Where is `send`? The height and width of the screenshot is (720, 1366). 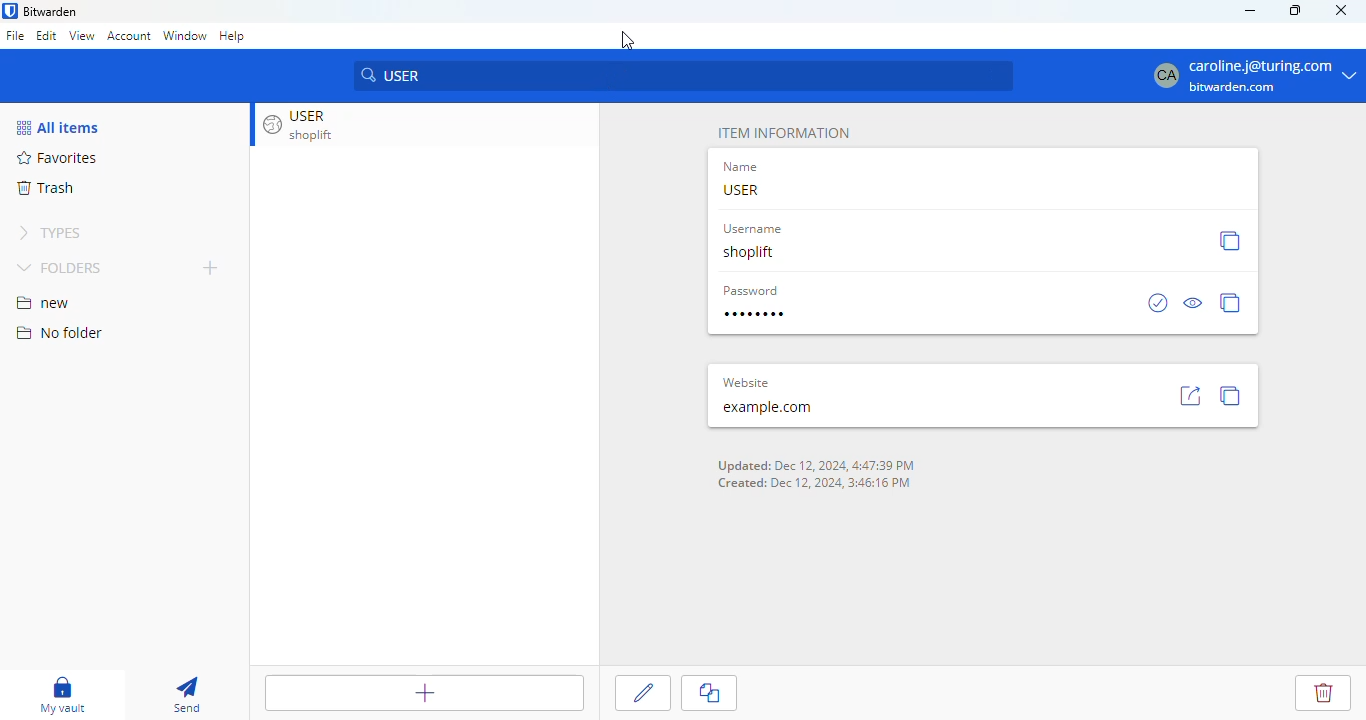
send is located at coordinates (189, 696).